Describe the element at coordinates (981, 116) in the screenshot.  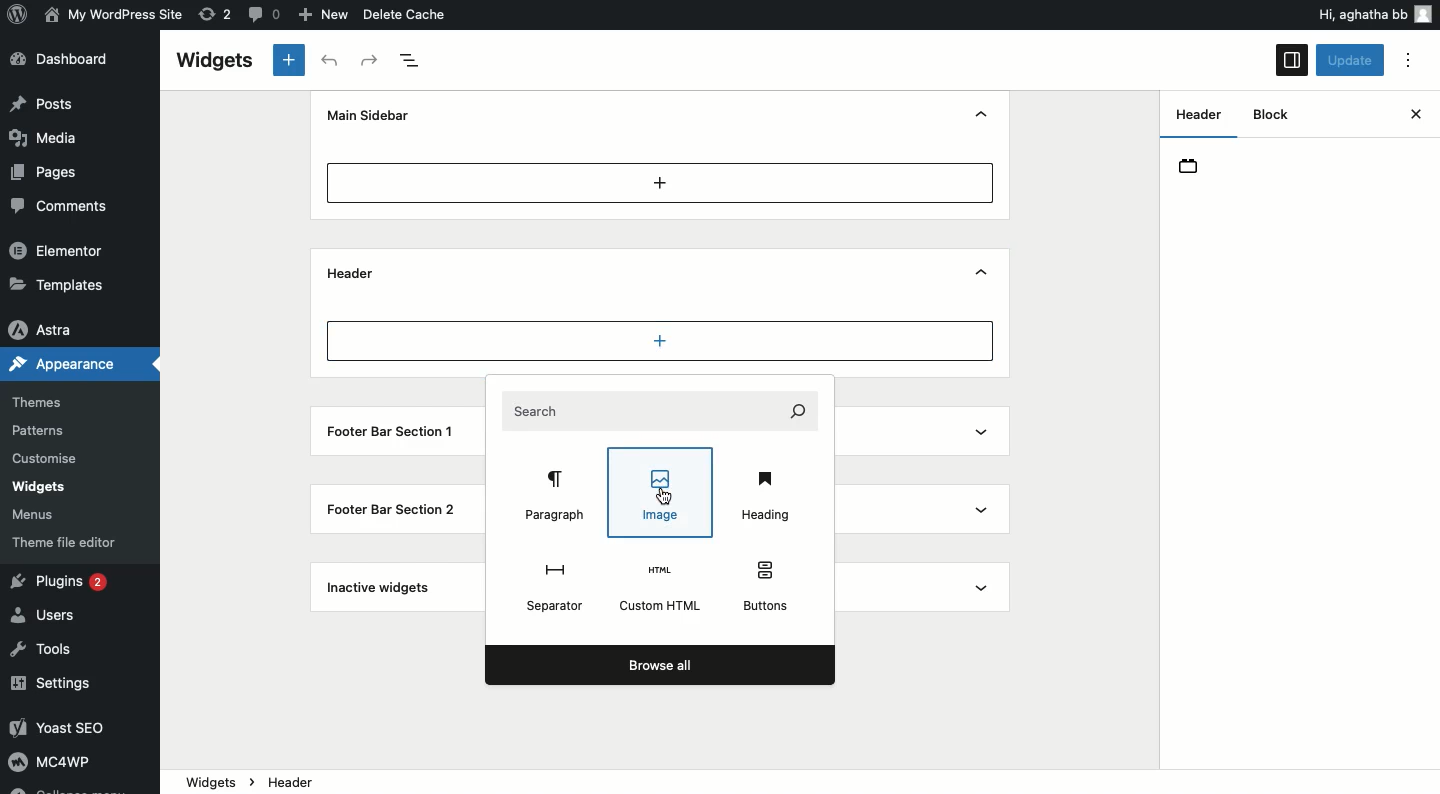
I see `Hide` at that location.